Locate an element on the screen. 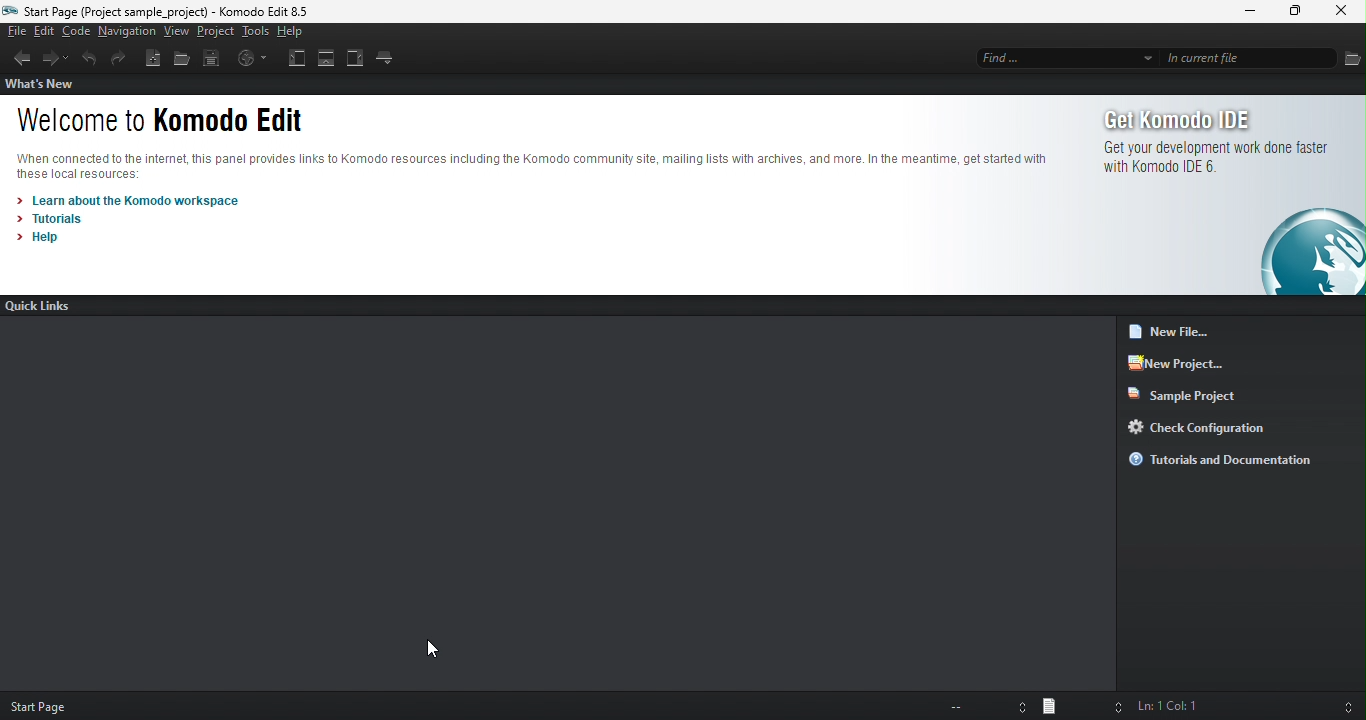 Image resolution: width=1366 pixels, height=720 pixels. new project is located at coordinates (1174, 362).